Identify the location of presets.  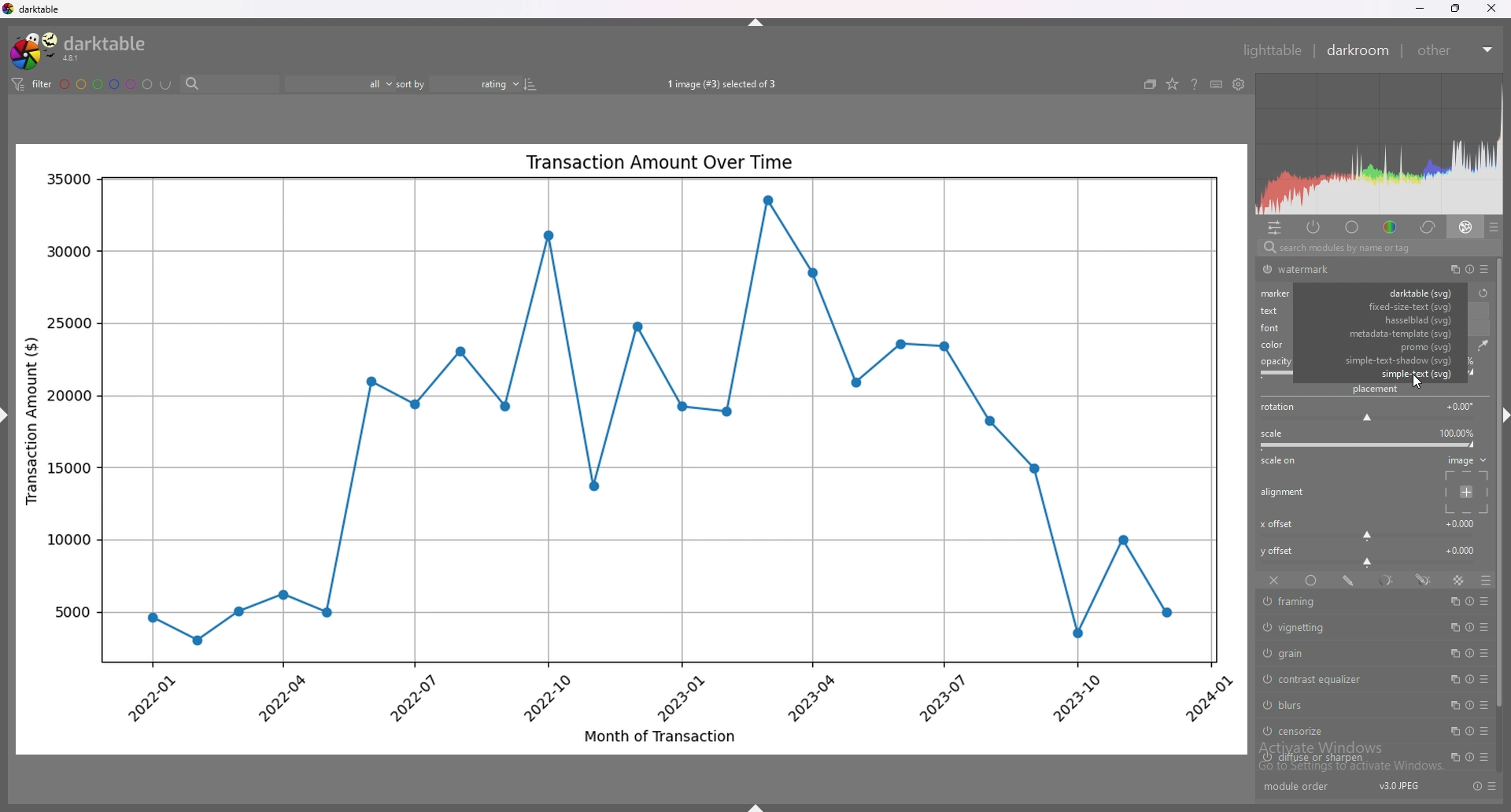
(1486, 601).